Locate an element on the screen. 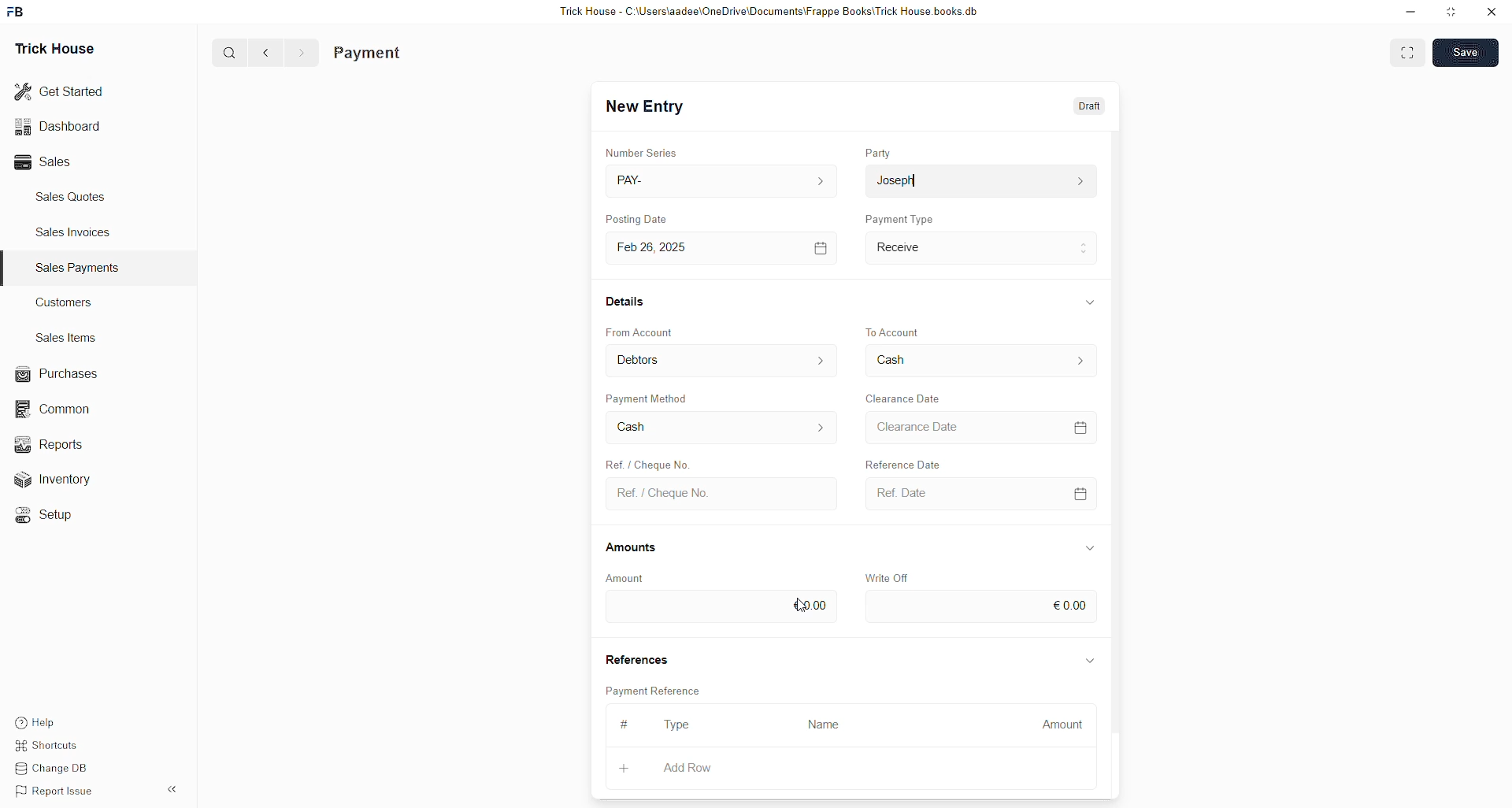  Draft is located at coordinates (1091, 105).